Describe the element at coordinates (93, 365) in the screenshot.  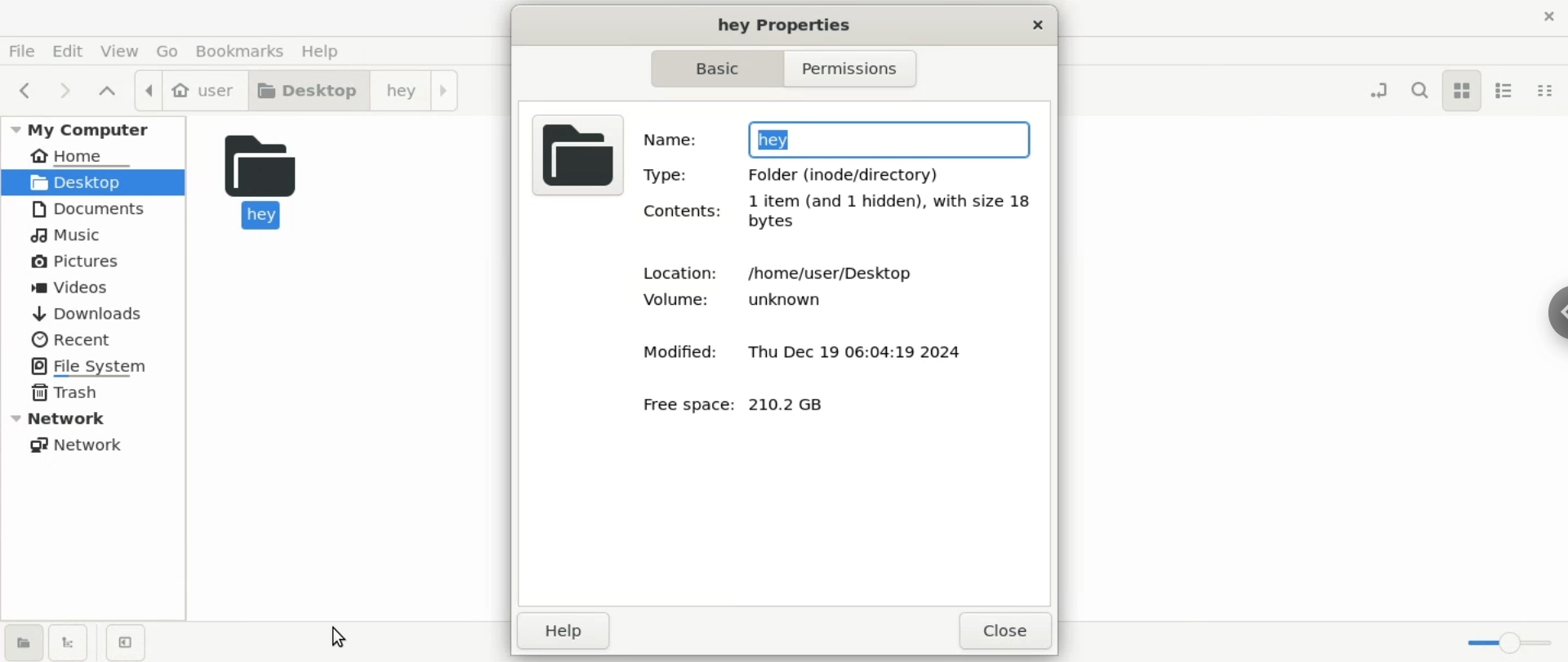
I see `file system` at that location.